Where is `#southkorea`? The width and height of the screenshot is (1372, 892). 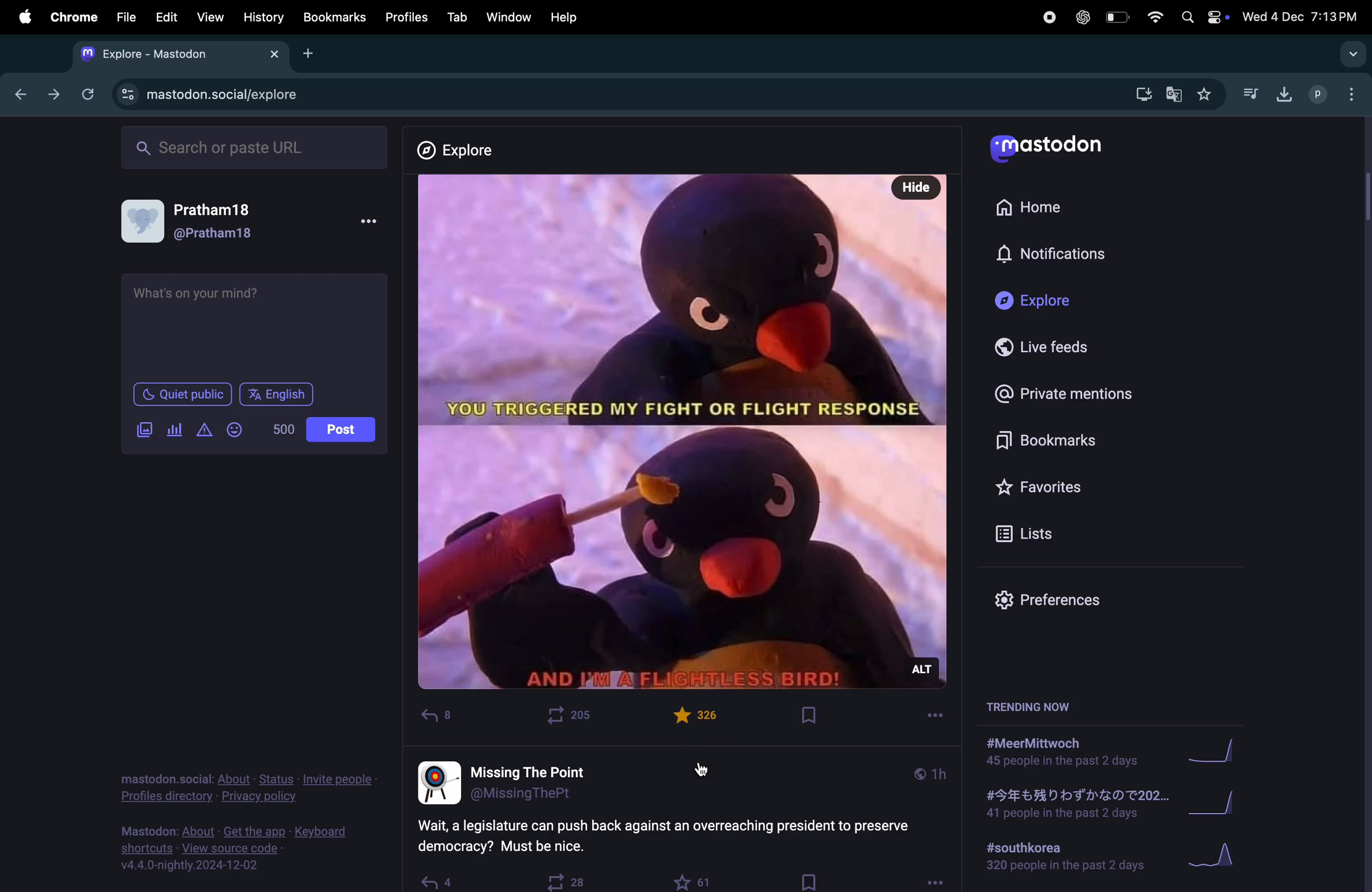
#southkorea is located at coordinates (1061, 858).